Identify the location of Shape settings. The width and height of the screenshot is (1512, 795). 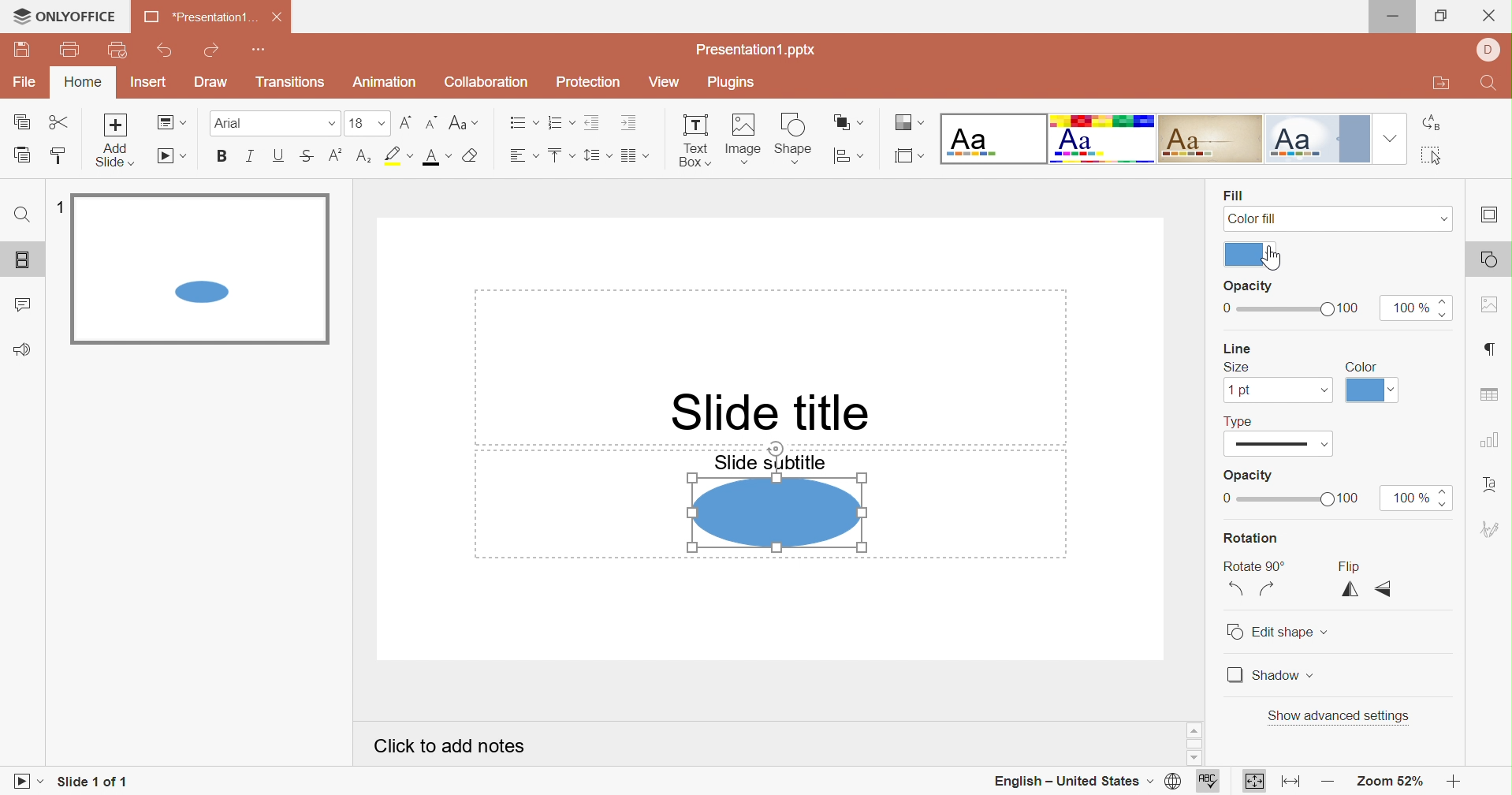
(1487, 262).